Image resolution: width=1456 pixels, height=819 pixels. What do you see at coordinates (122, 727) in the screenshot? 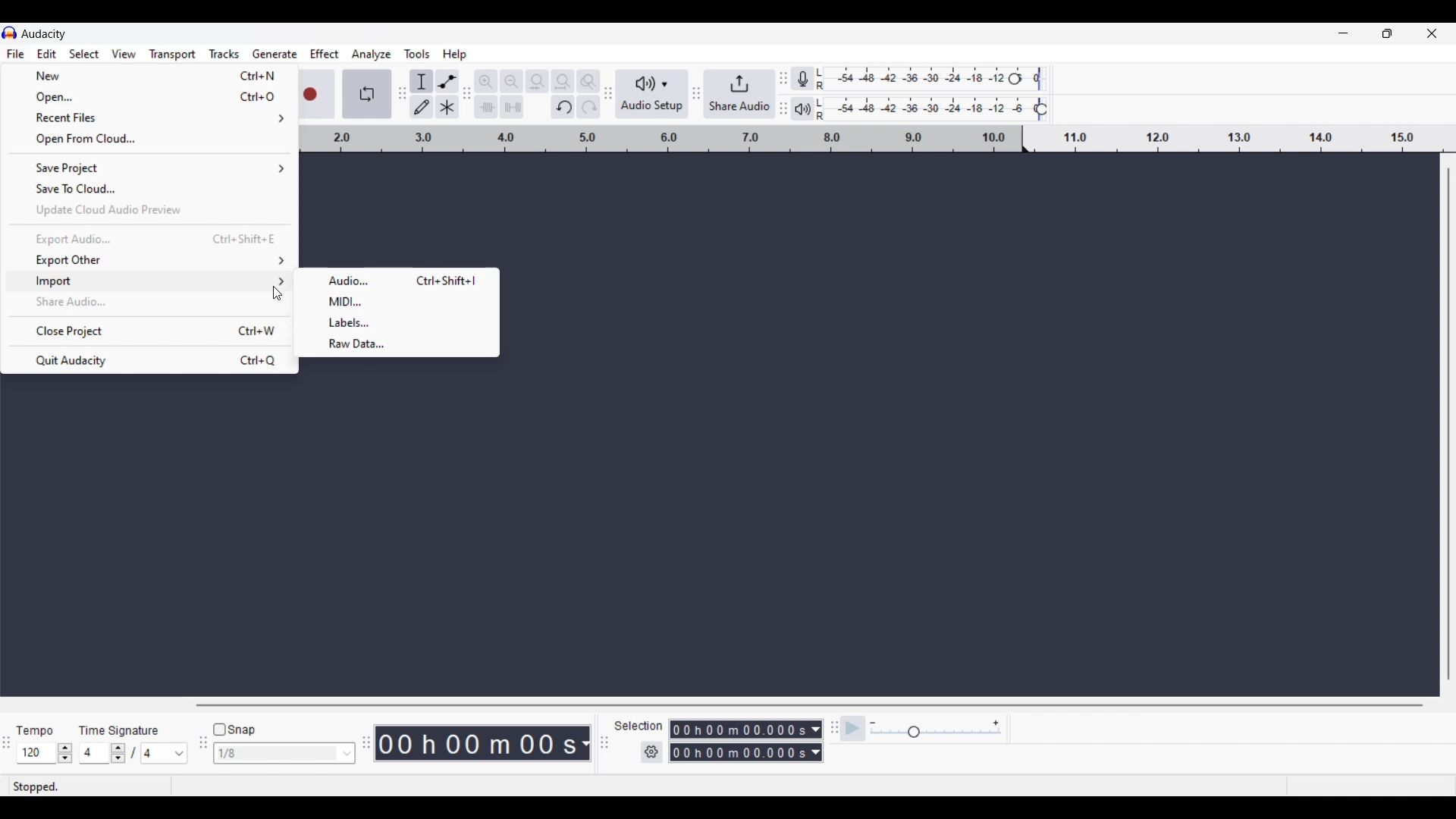
I see `Time Signature` at bounding box center [122, 727].